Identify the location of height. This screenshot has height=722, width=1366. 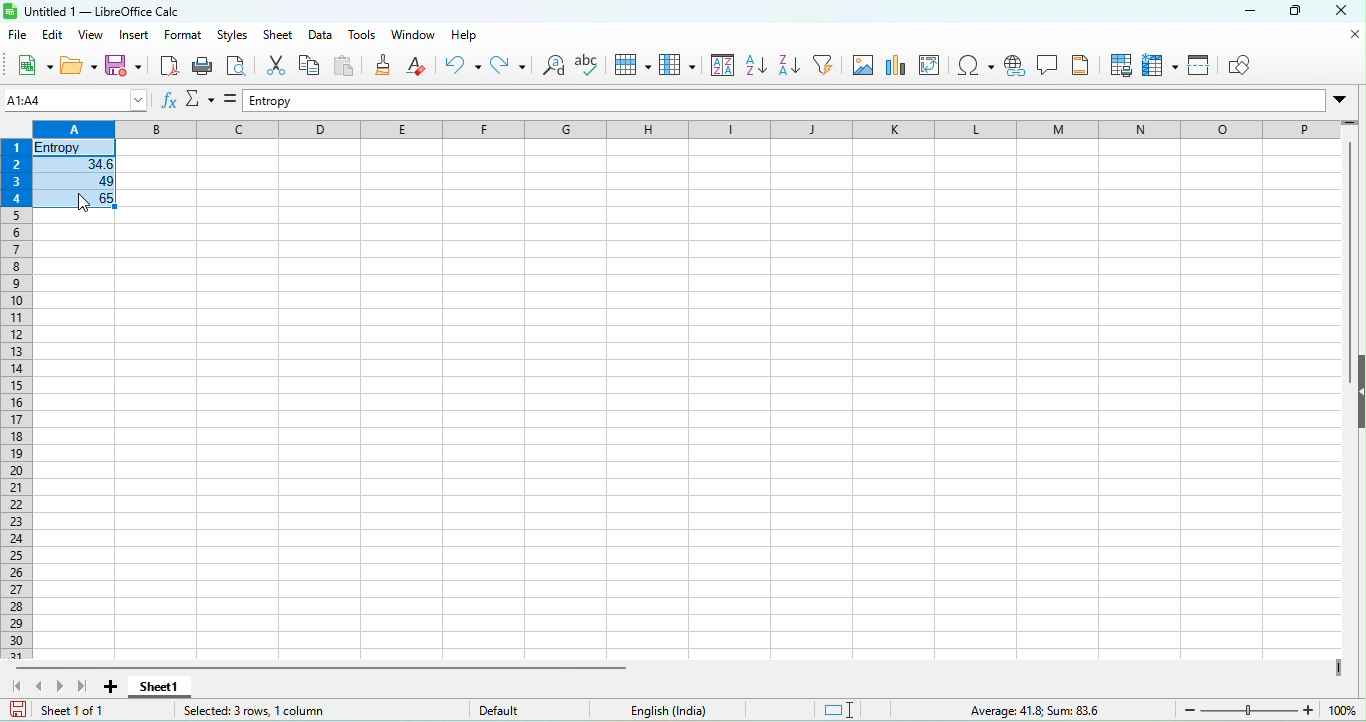
(1357, 392).